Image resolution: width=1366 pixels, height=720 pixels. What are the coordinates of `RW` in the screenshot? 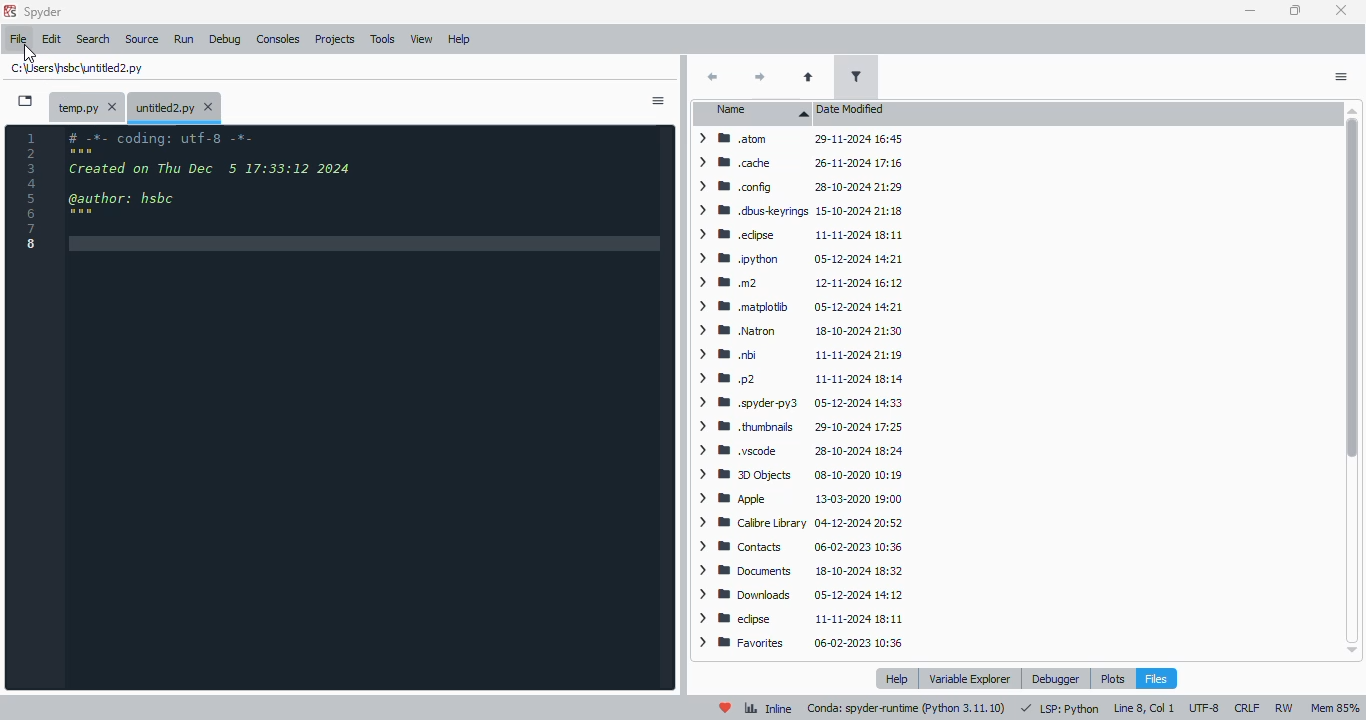 It's located at (1283, 708).